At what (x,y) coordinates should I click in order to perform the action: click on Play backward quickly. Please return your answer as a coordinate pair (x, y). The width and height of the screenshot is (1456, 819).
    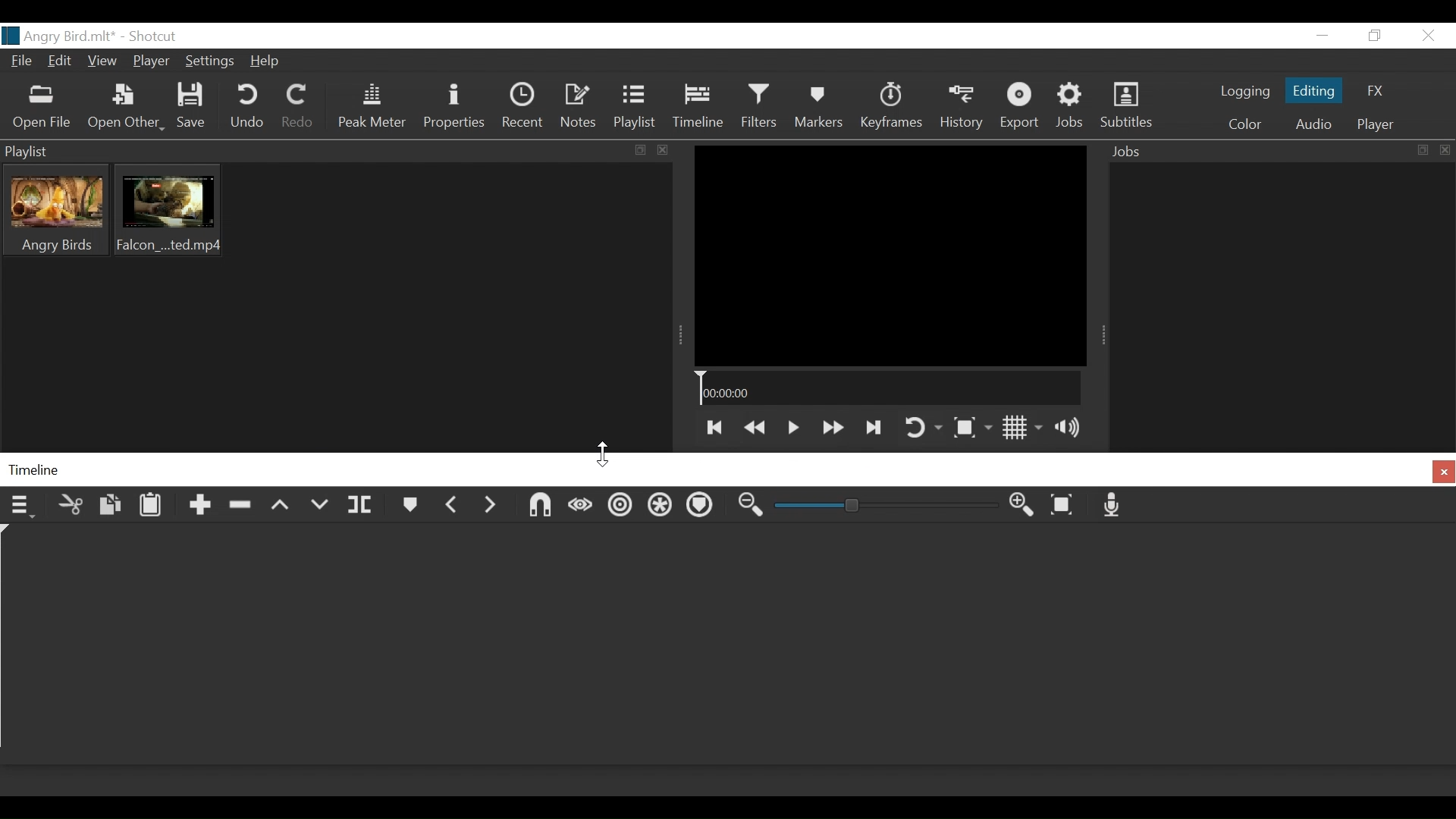
    Looking at the image, I should click on (754, 426).